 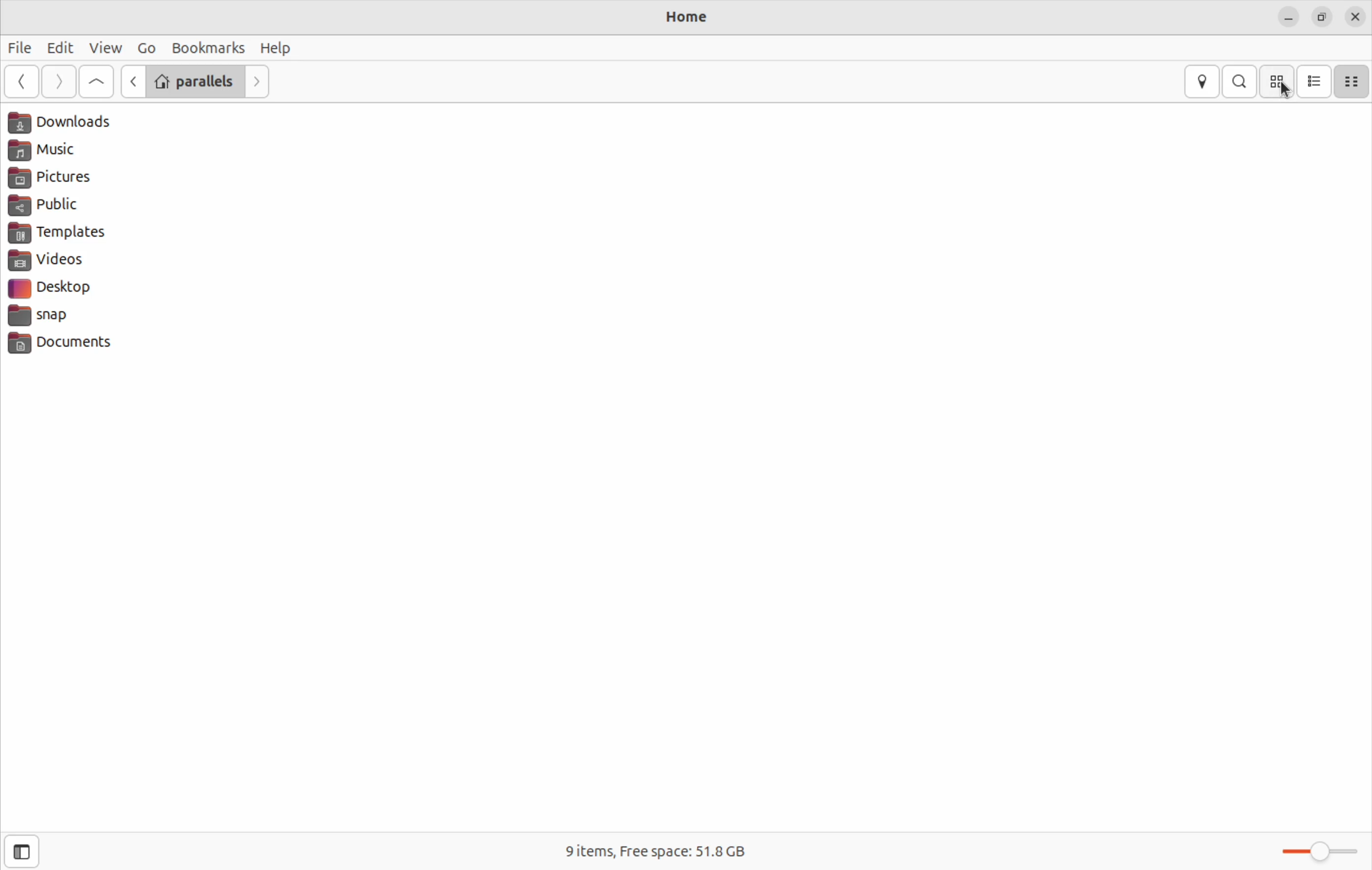 What do you see at coordinates (276, 47) in the screenshot?
I see `Help` at bounding box center [276, 47].